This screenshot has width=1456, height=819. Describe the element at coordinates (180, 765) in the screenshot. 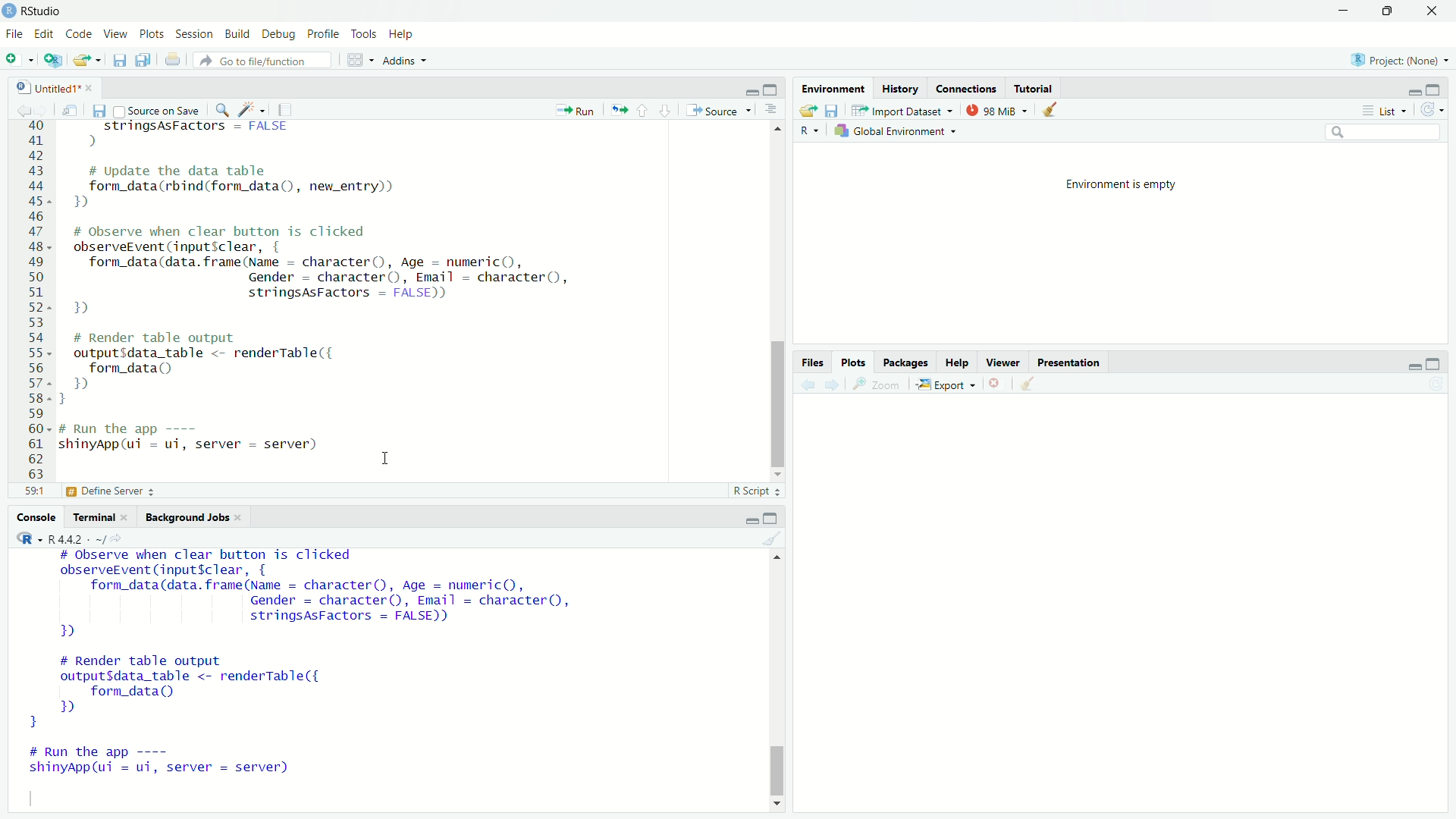

I see `code to run the app` at that location.